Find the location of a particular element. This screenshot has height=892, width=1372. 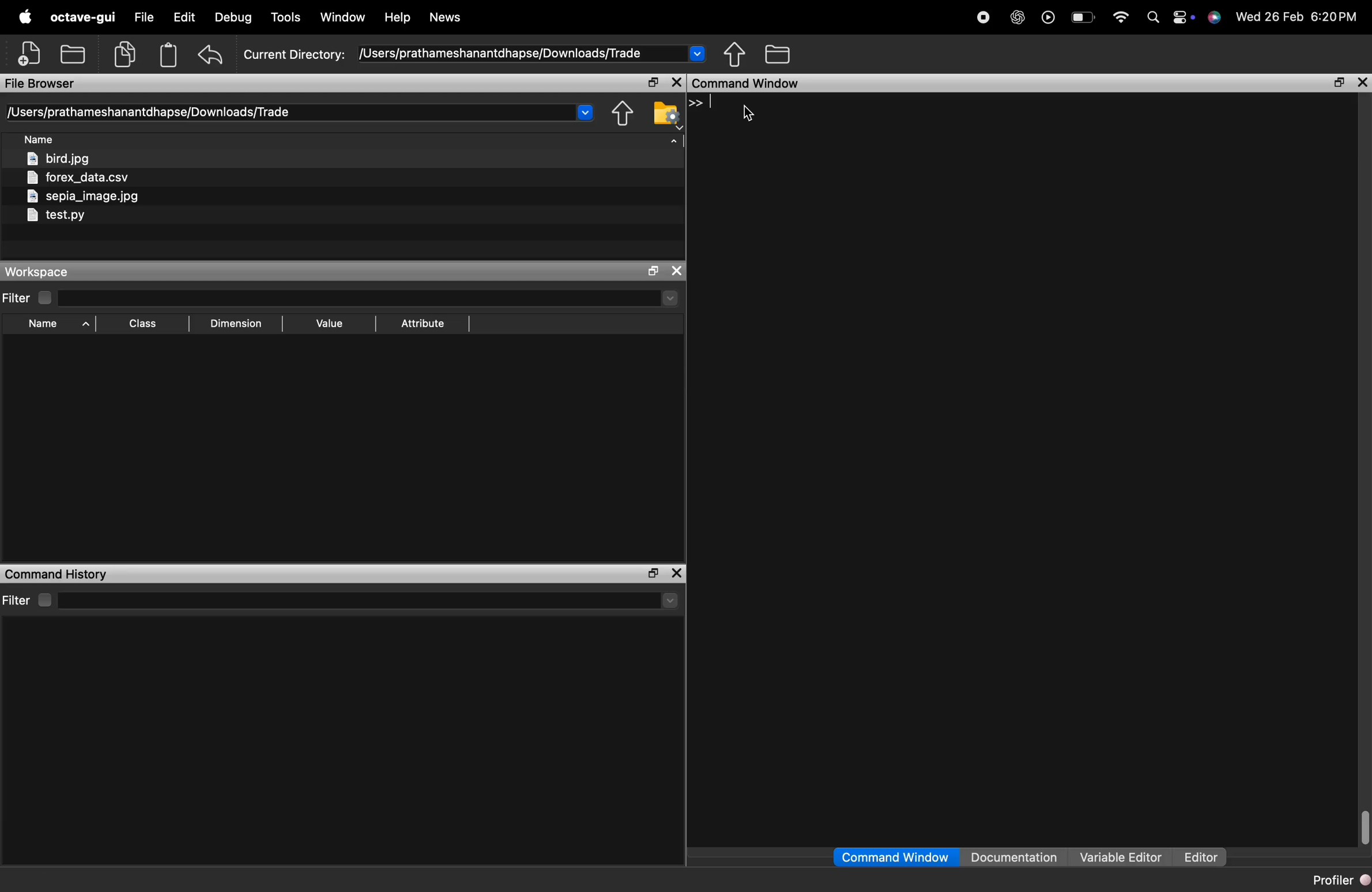

wifi is located at coordinates (1121, 17).